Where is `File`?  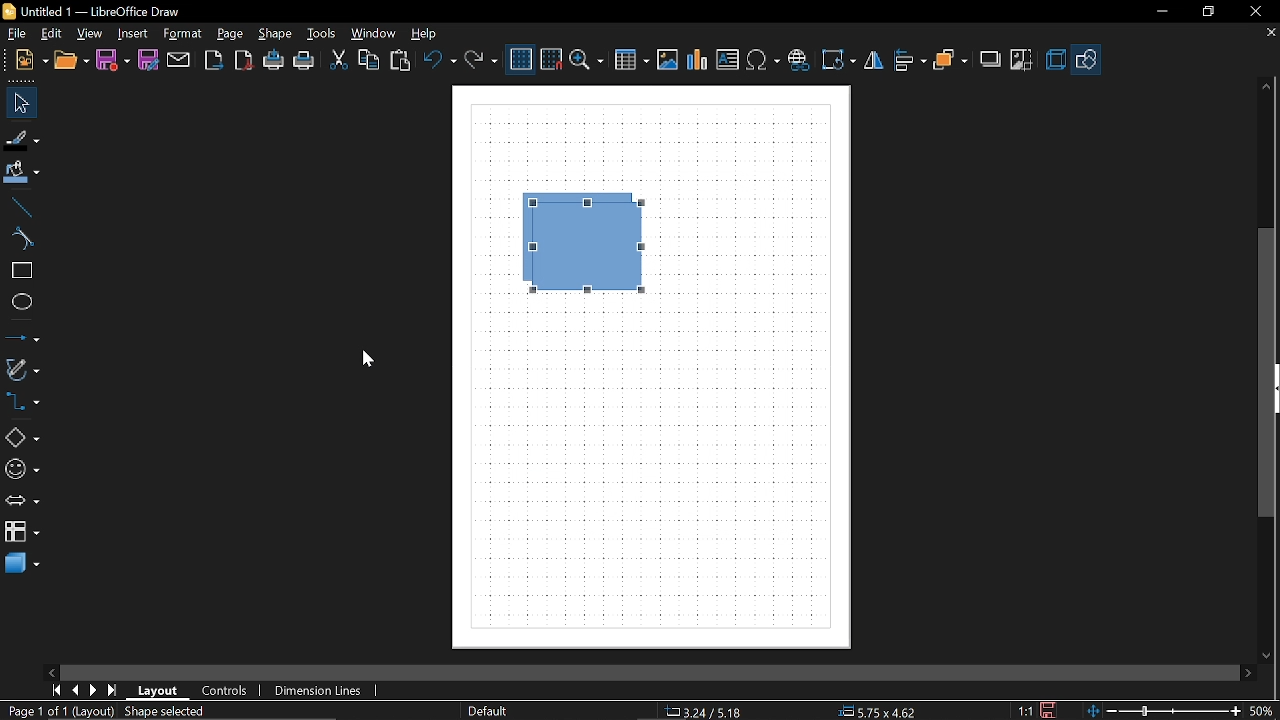 File is located at coordinates (15, 34).